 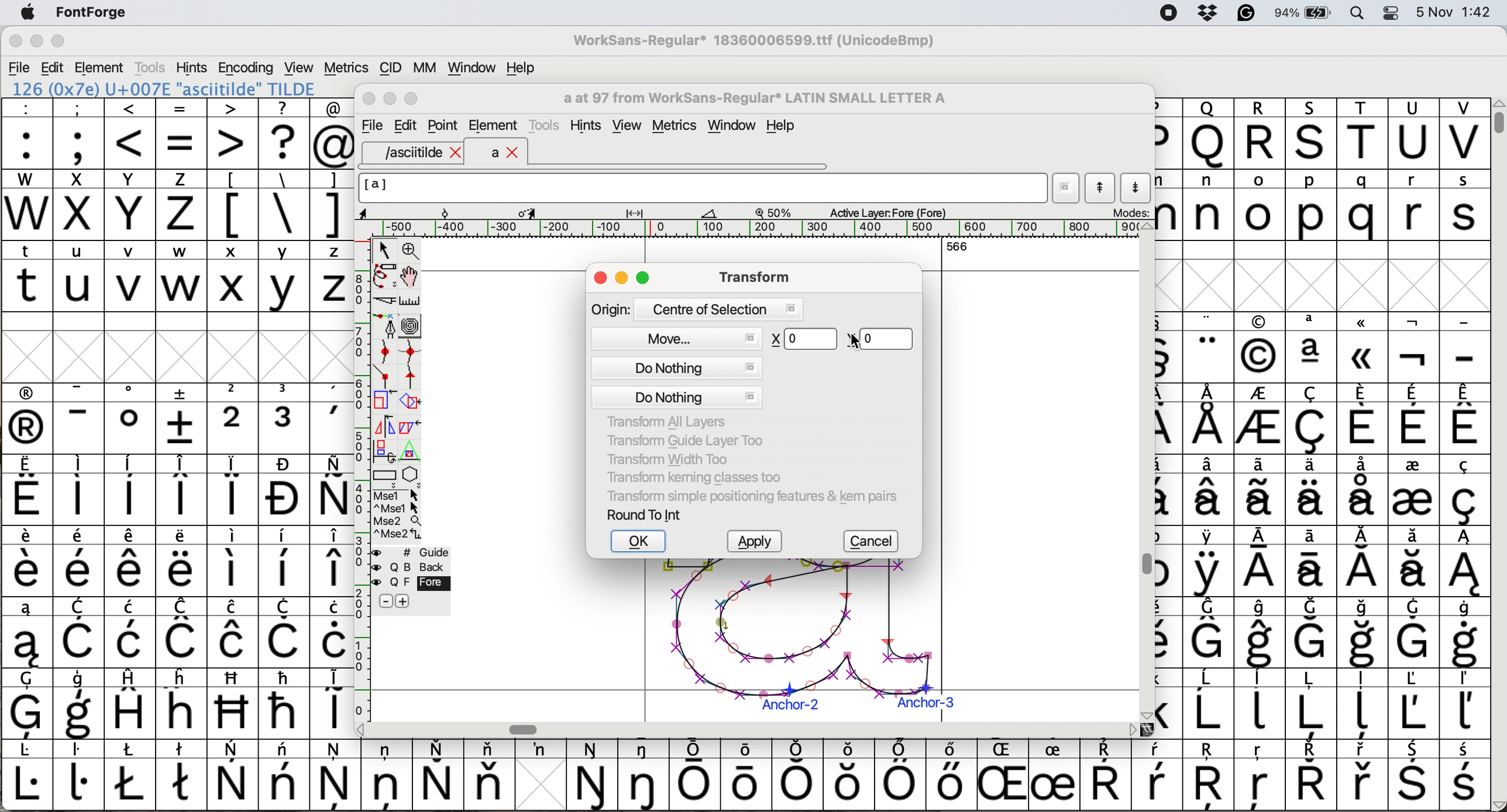 What do you see at coordinates (489, 774) in the screenshot?
I see `symbol` at bounding box center [489, 774].